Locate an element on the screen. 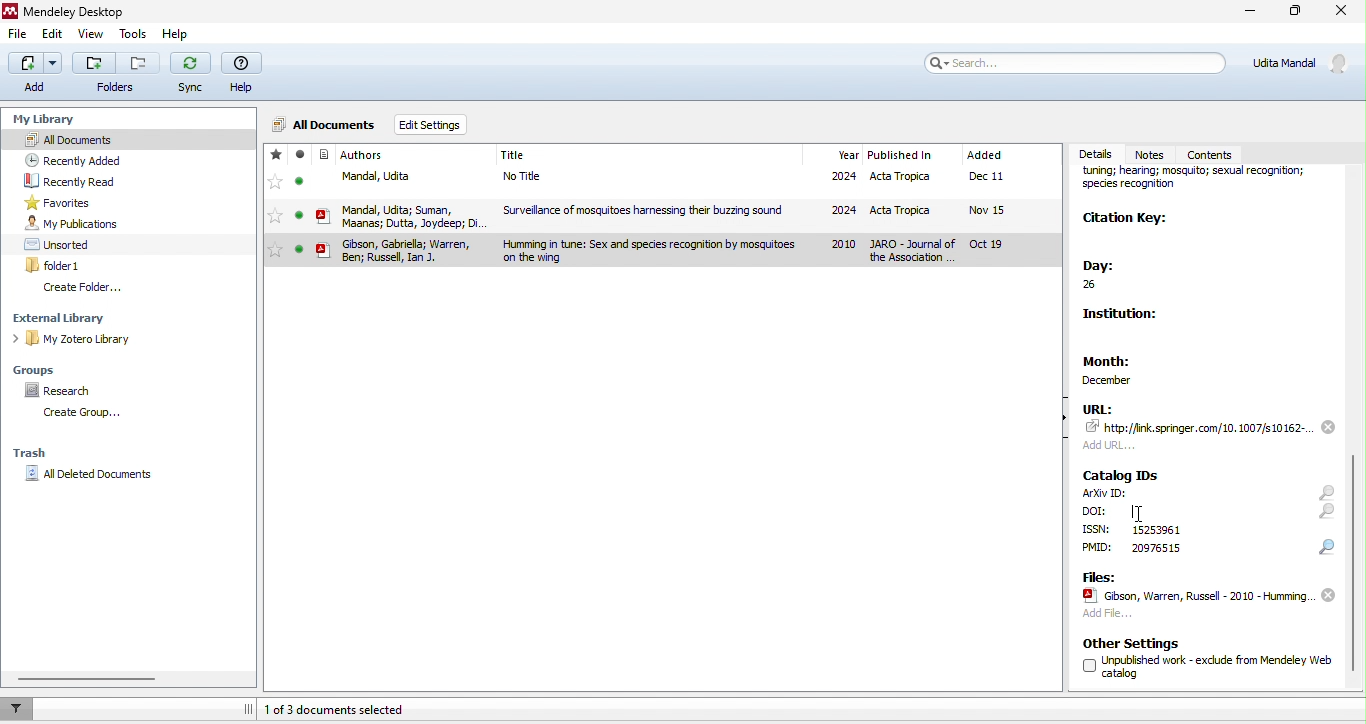  recently added is located at coordinates (72, 159).